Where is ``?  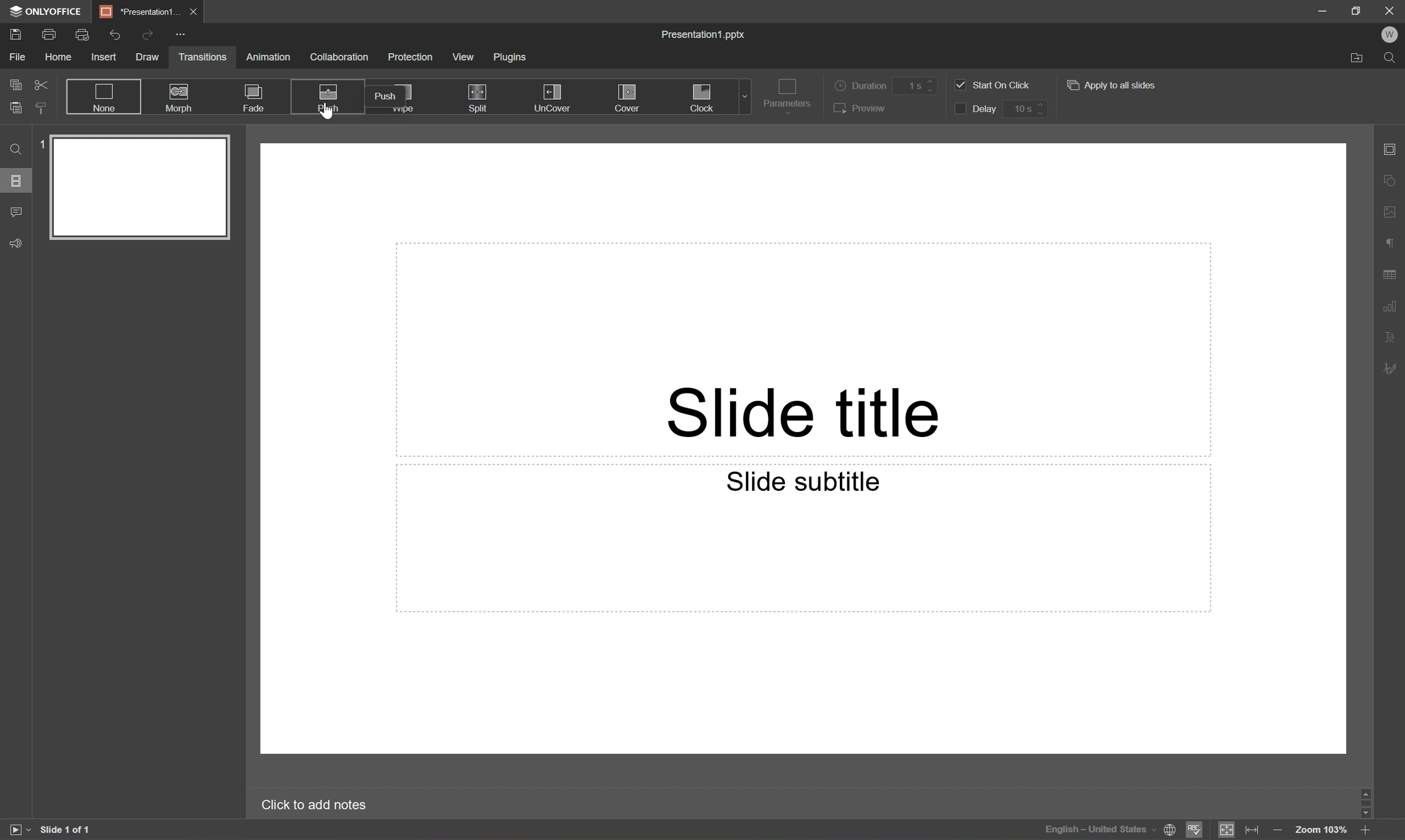  is located at coordinates (1096, 830).